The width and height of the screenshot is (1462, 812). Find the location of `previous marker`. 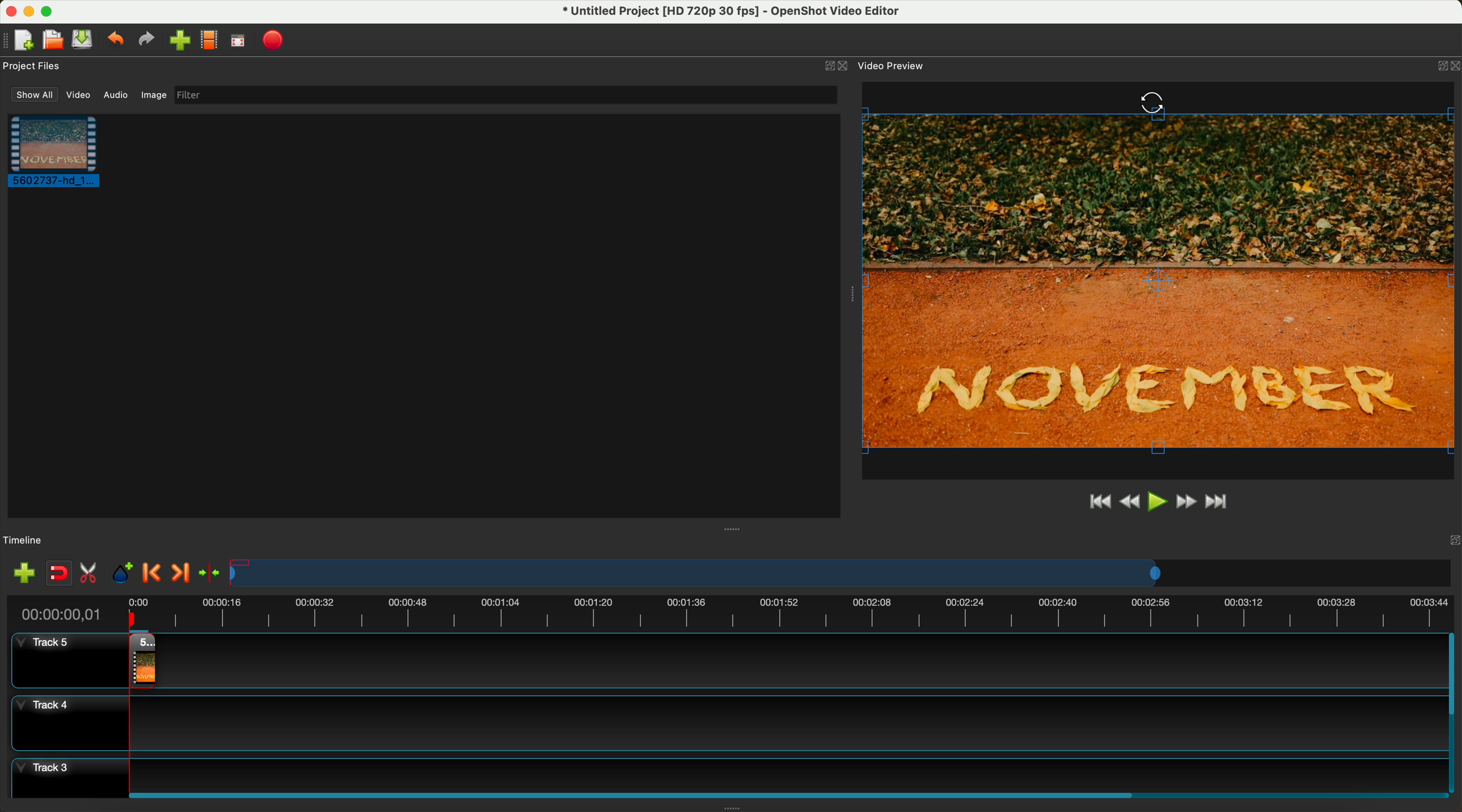

previous marker is located at coordinates (153, 573).